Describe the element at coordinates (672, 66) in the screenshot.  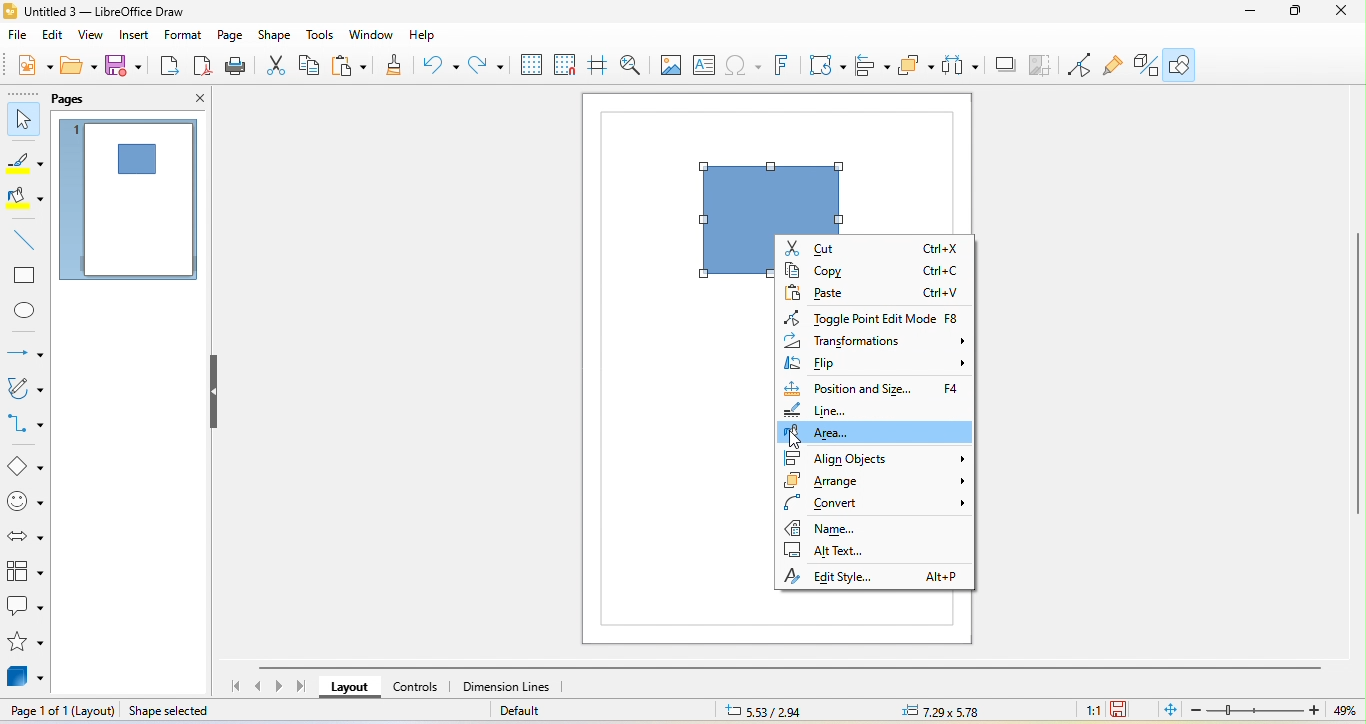
I see `image` at that location.